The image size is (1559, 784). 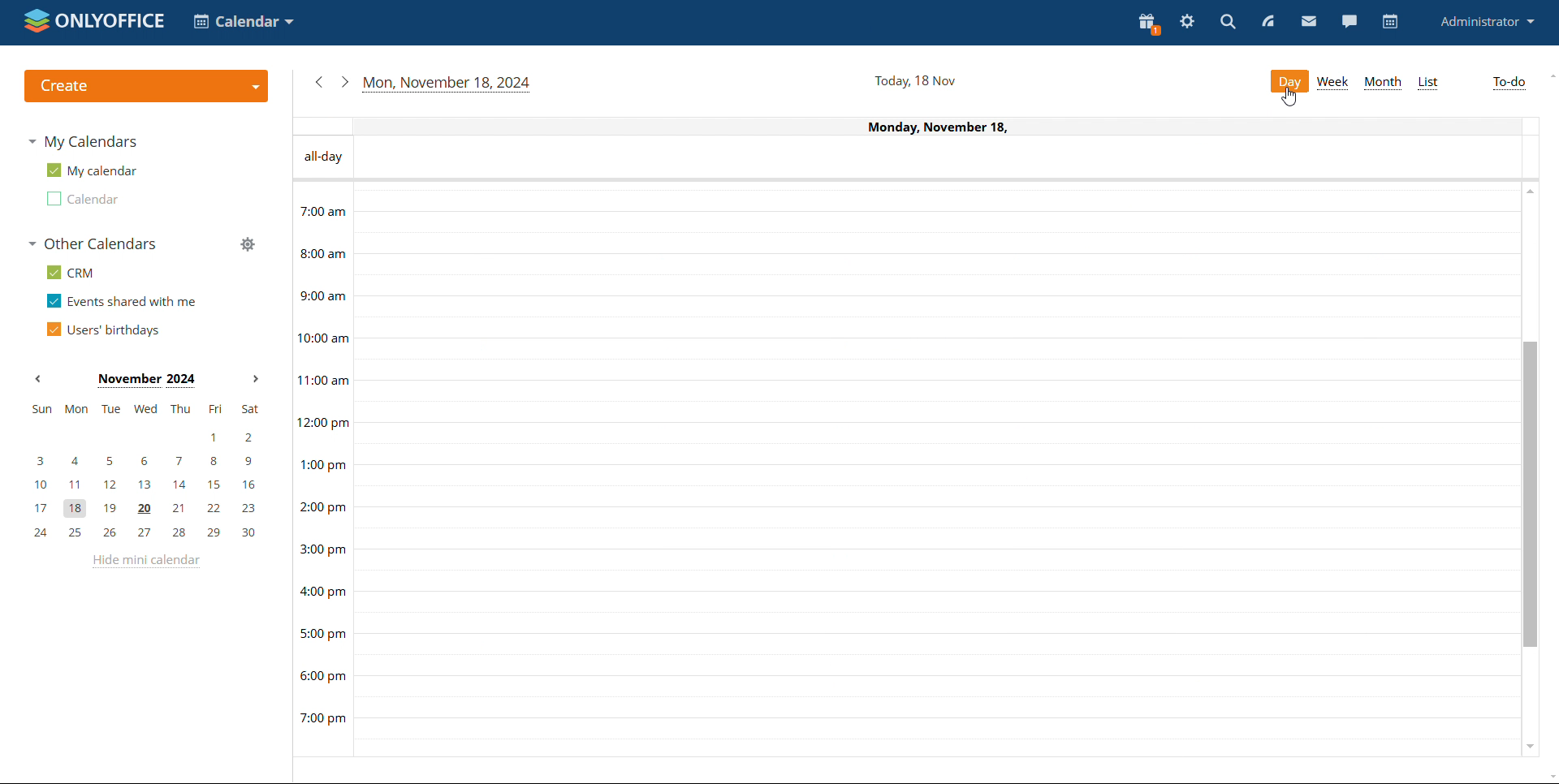 What do you see at coordinates (944, 125) in the screenshot?
I see `current day` at bounding box center [944, 125].